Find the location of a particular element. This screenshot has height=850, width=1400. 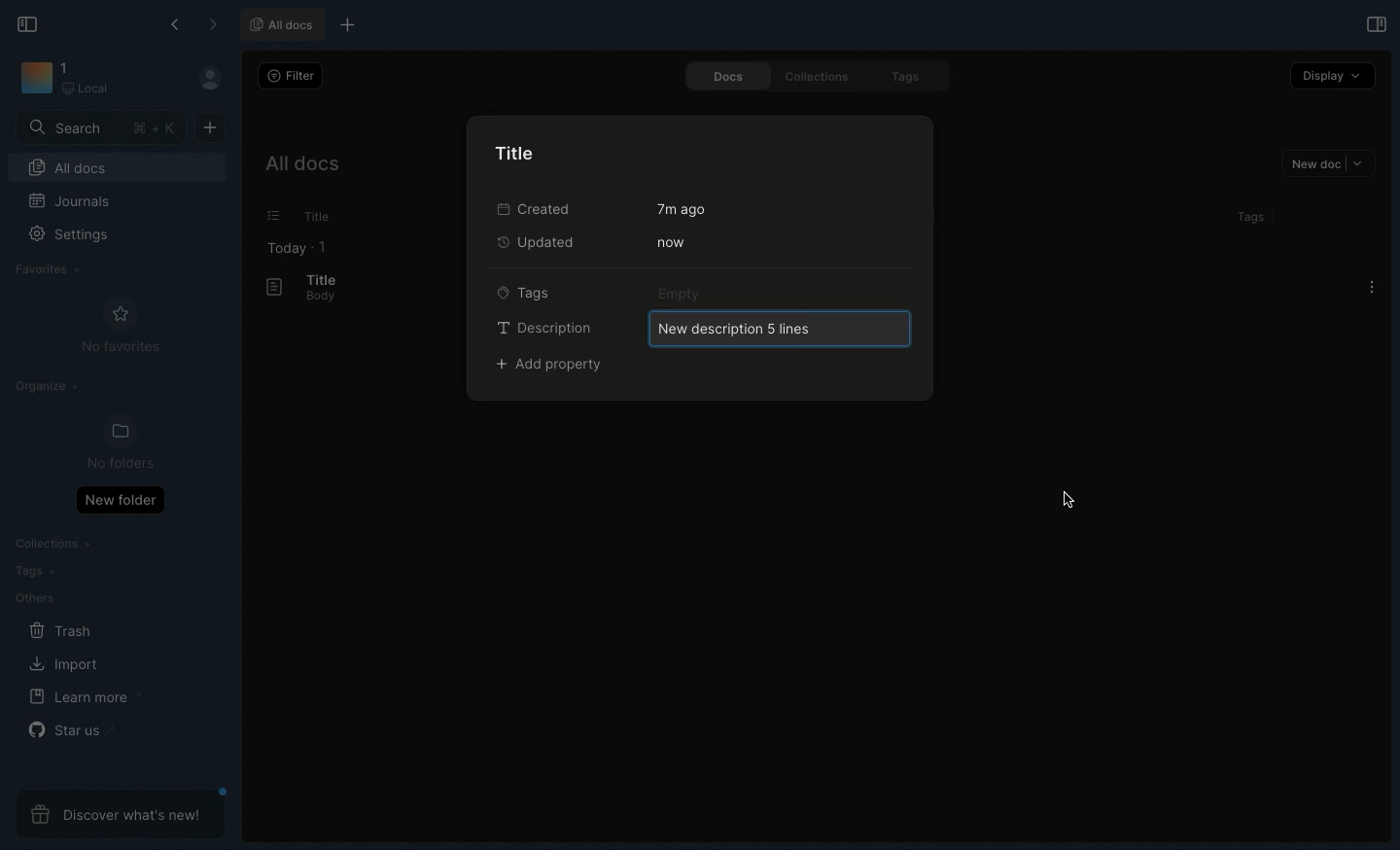

Tags is located at coordinates (524, 291).